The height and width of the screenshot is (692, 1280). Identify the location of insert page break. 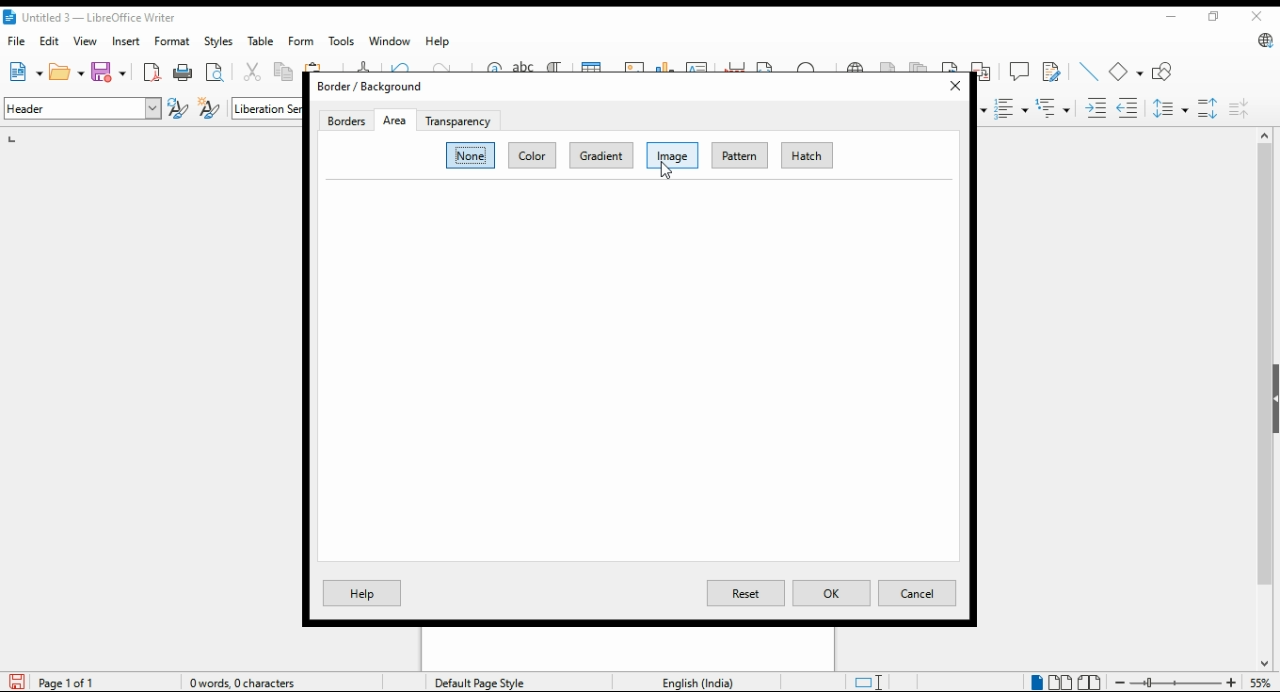
(737, 66).